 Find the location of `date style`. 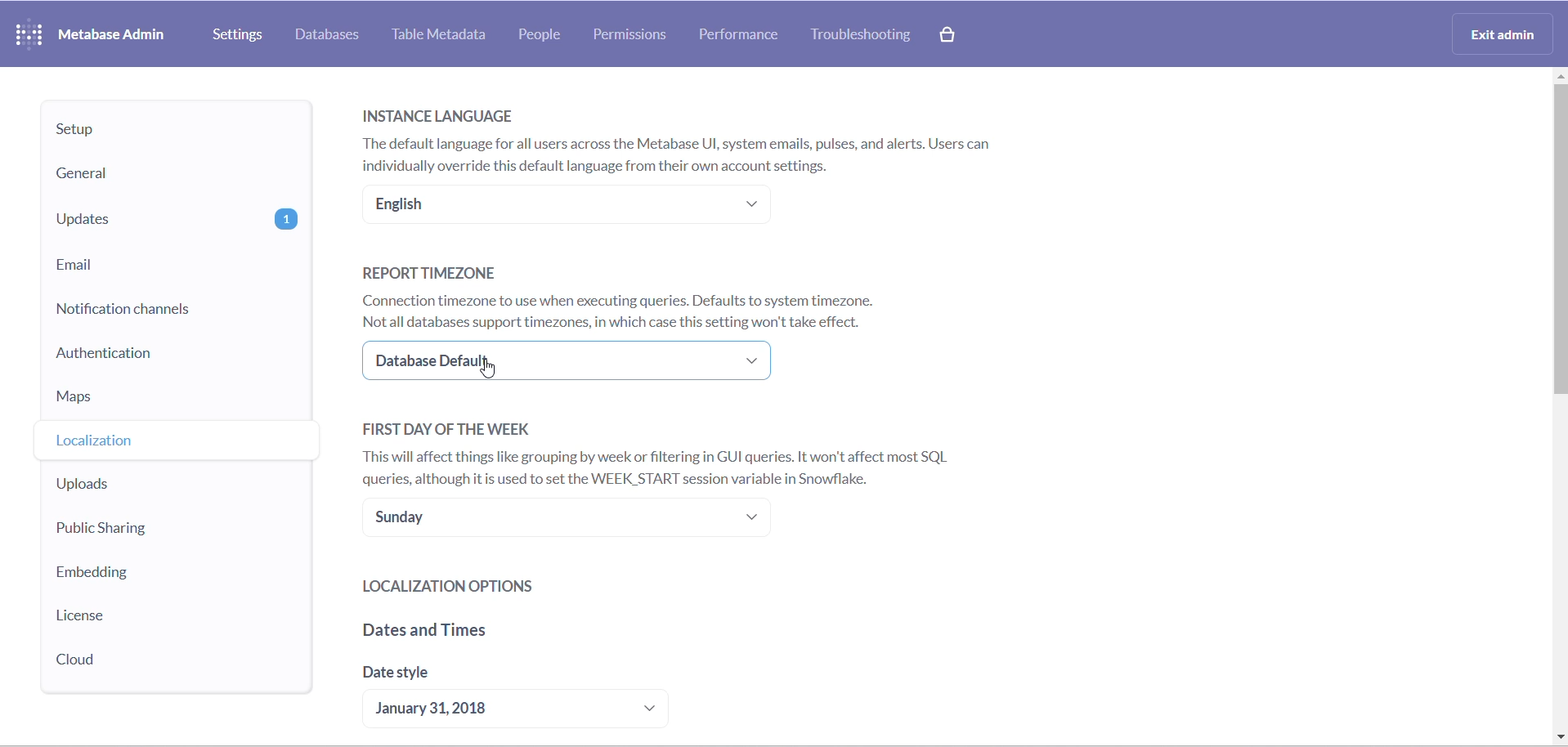

date style is located at coordinates (486, 678).